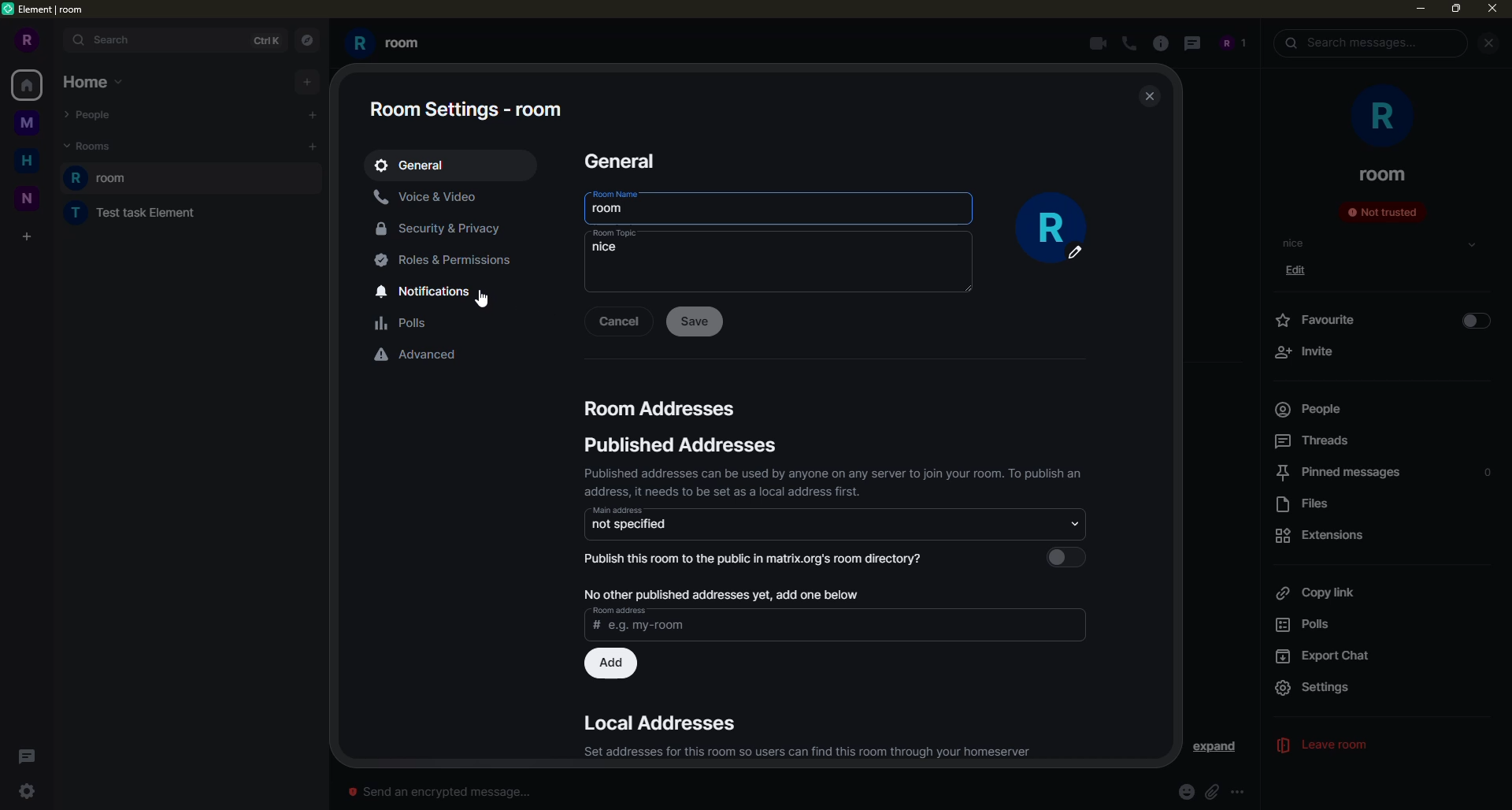  Describe the element at coordinates (1058, 229) in the screenshot. I see `profile pic` at that location.